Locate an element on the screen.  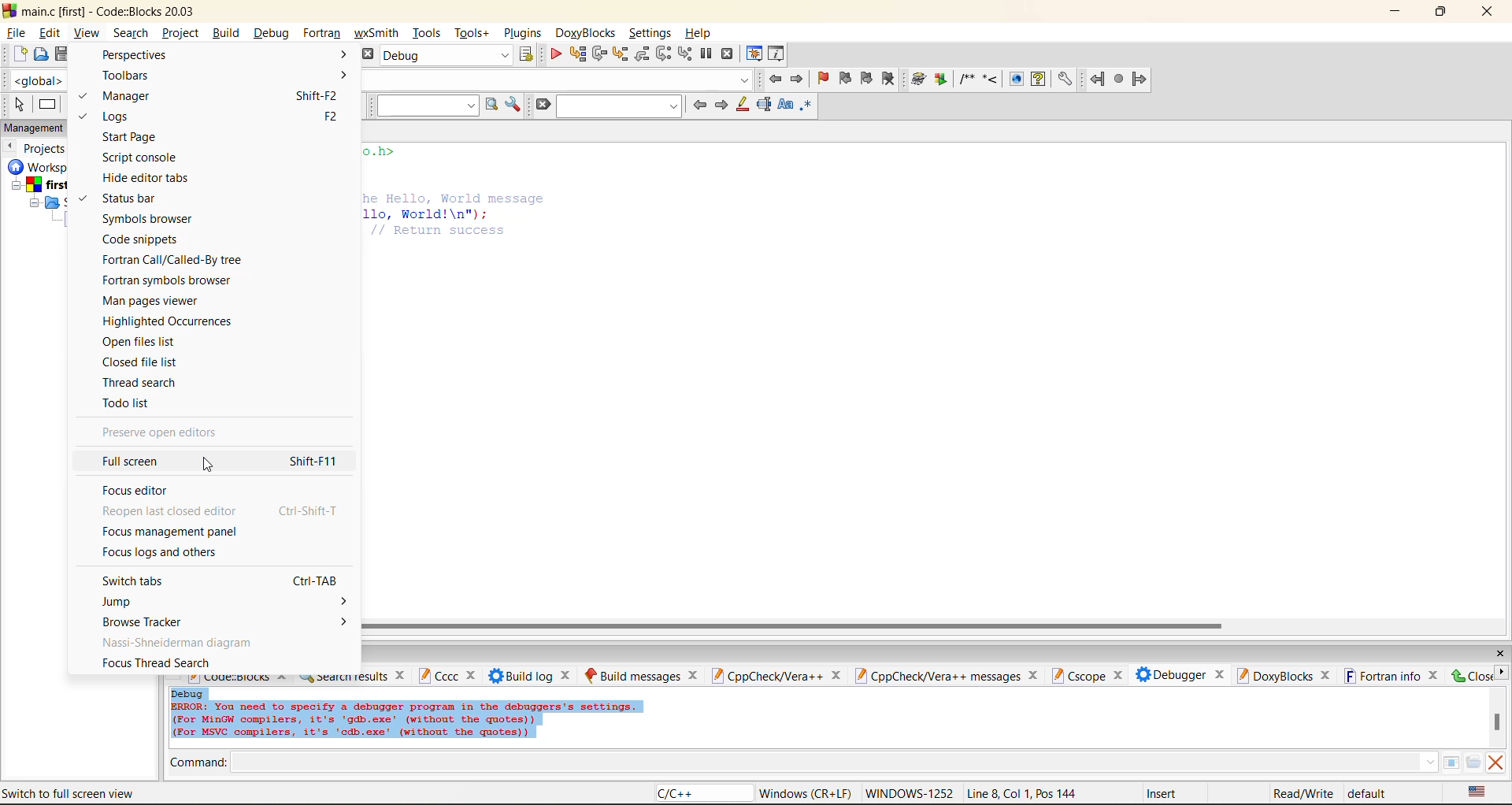
toolbars is located at coordinates (132, 76).